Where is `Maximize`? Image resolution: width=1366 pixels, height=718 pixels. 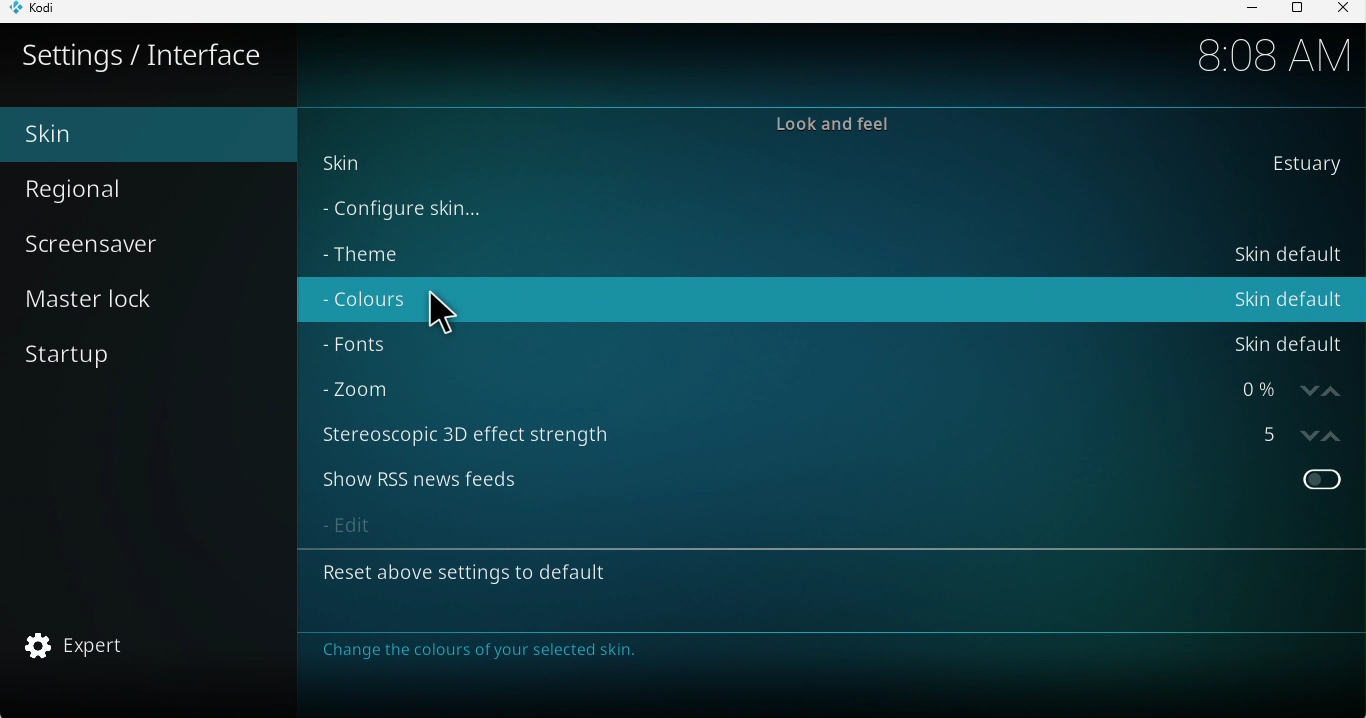
Maximize is located at coordinates (1295, 10).